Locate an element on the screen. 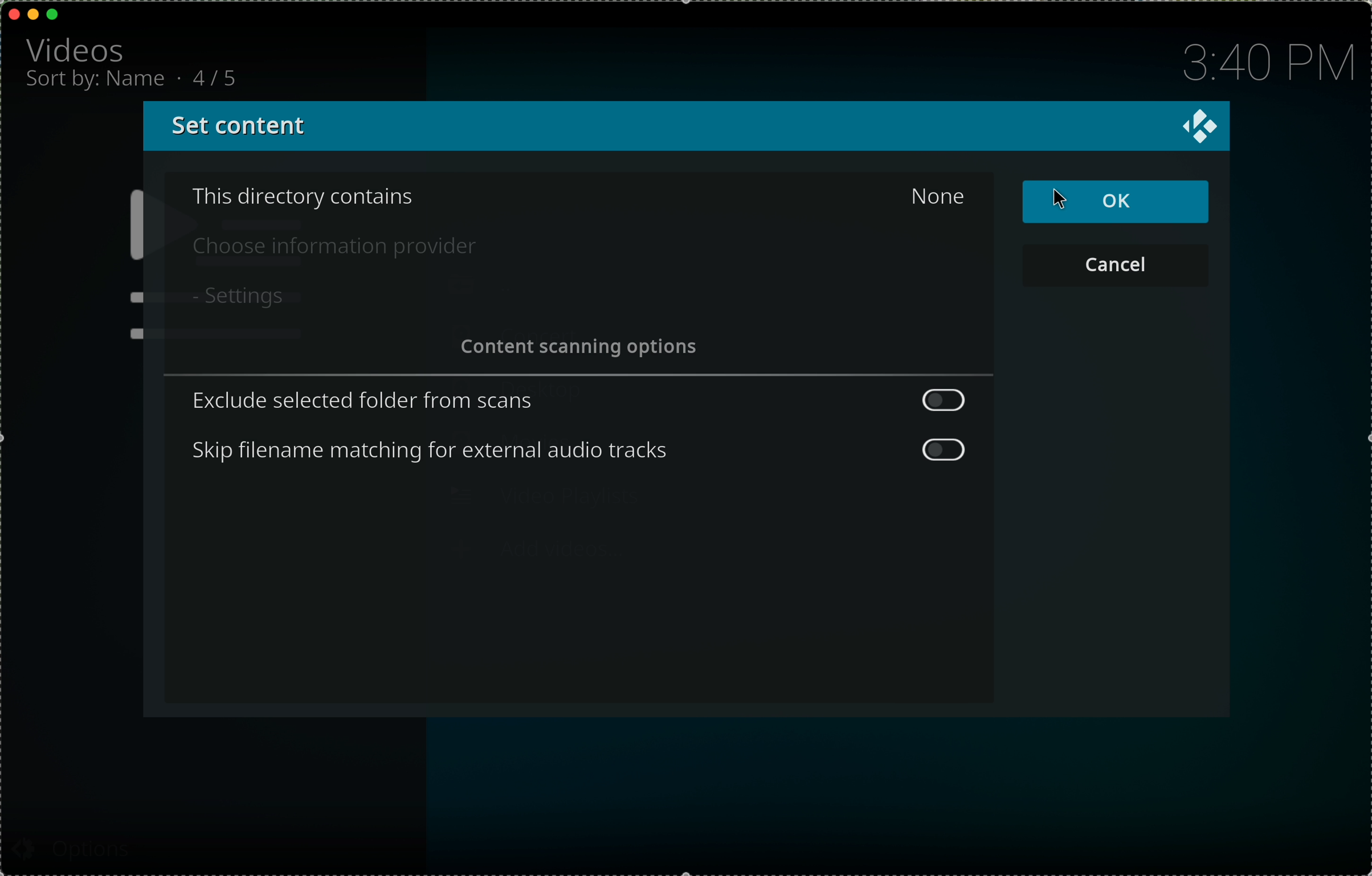  content scanning options is located at coordinates (583, 349).